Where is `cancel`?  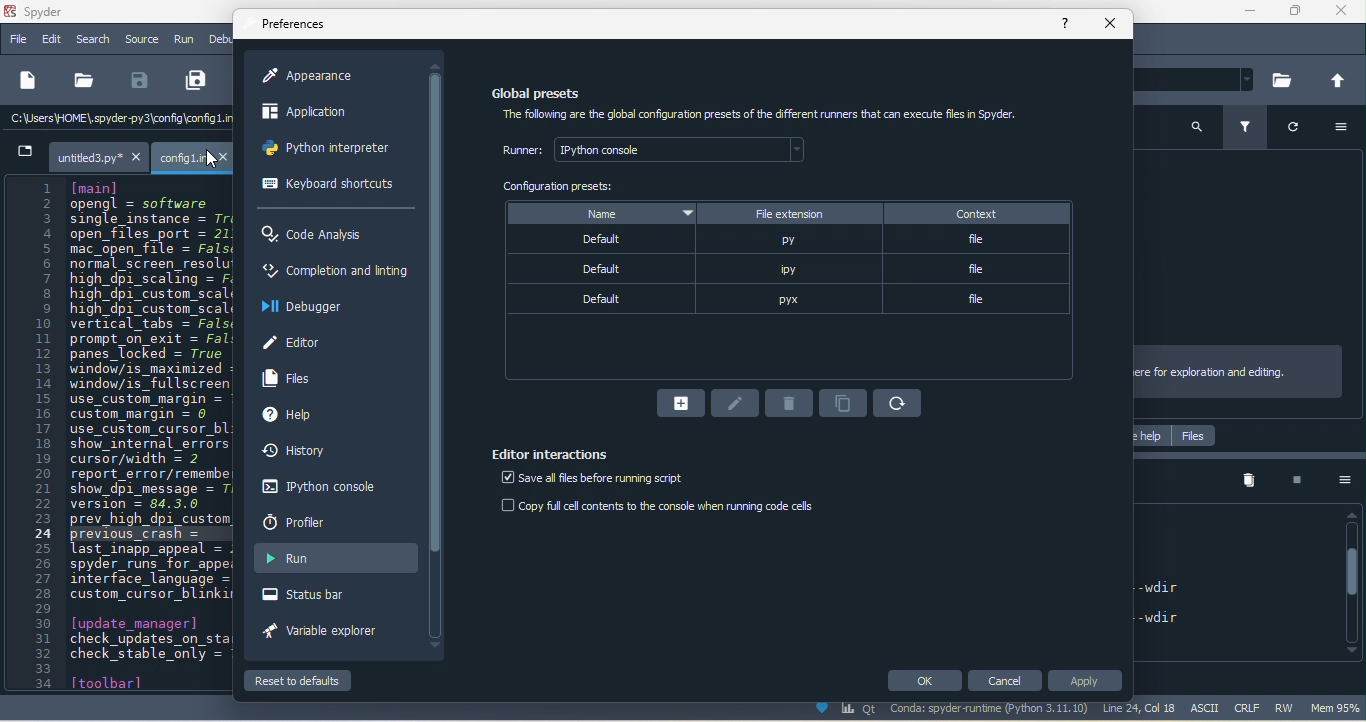 cancel is located at coordinates (999, 678).